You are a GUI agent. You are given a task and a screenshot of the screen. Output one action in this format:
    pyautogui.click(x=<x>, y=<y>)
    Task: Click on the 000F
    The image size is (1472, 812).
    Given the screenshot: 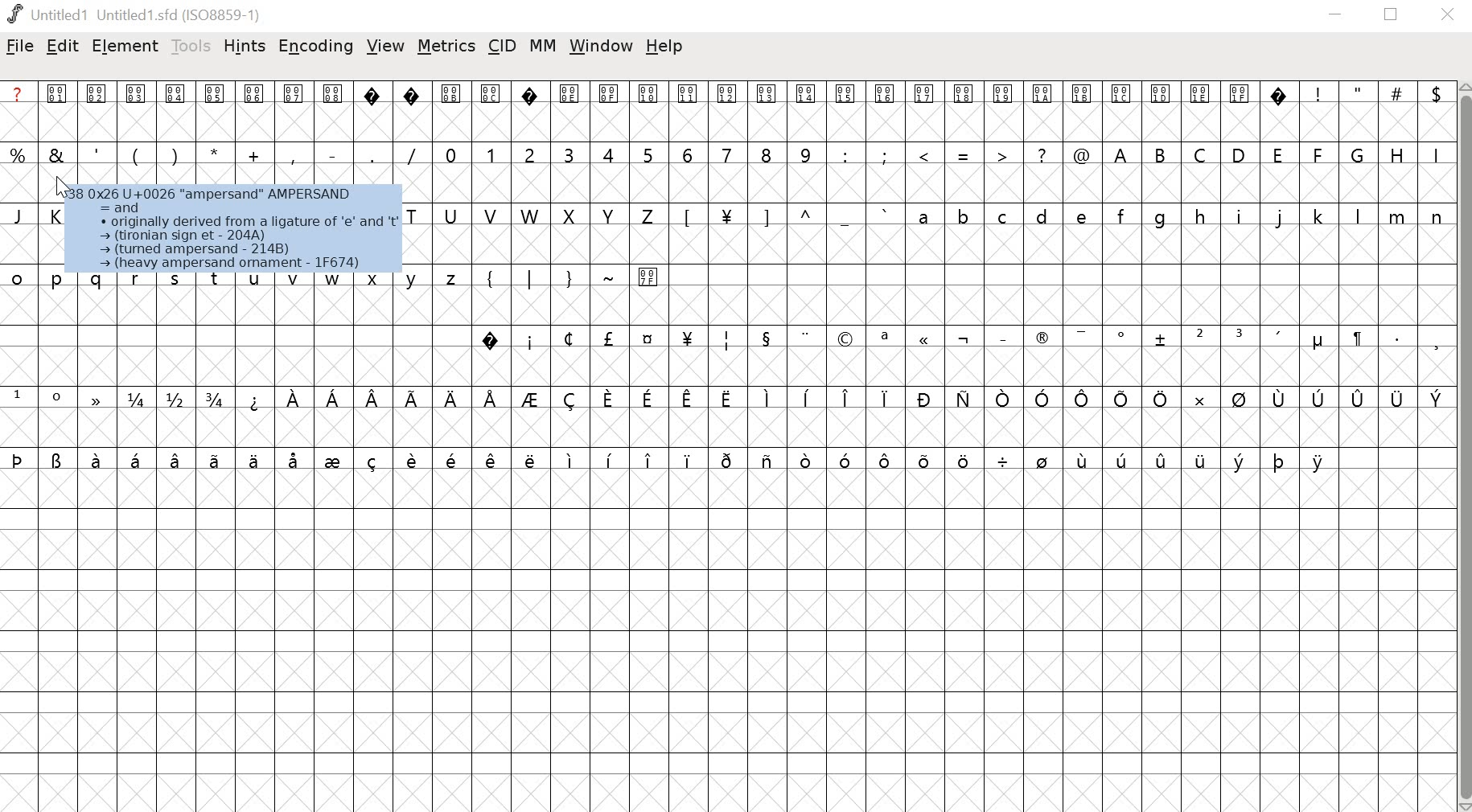 What is the action you would take?
    pyautogui.click(x=610, y=112)
    